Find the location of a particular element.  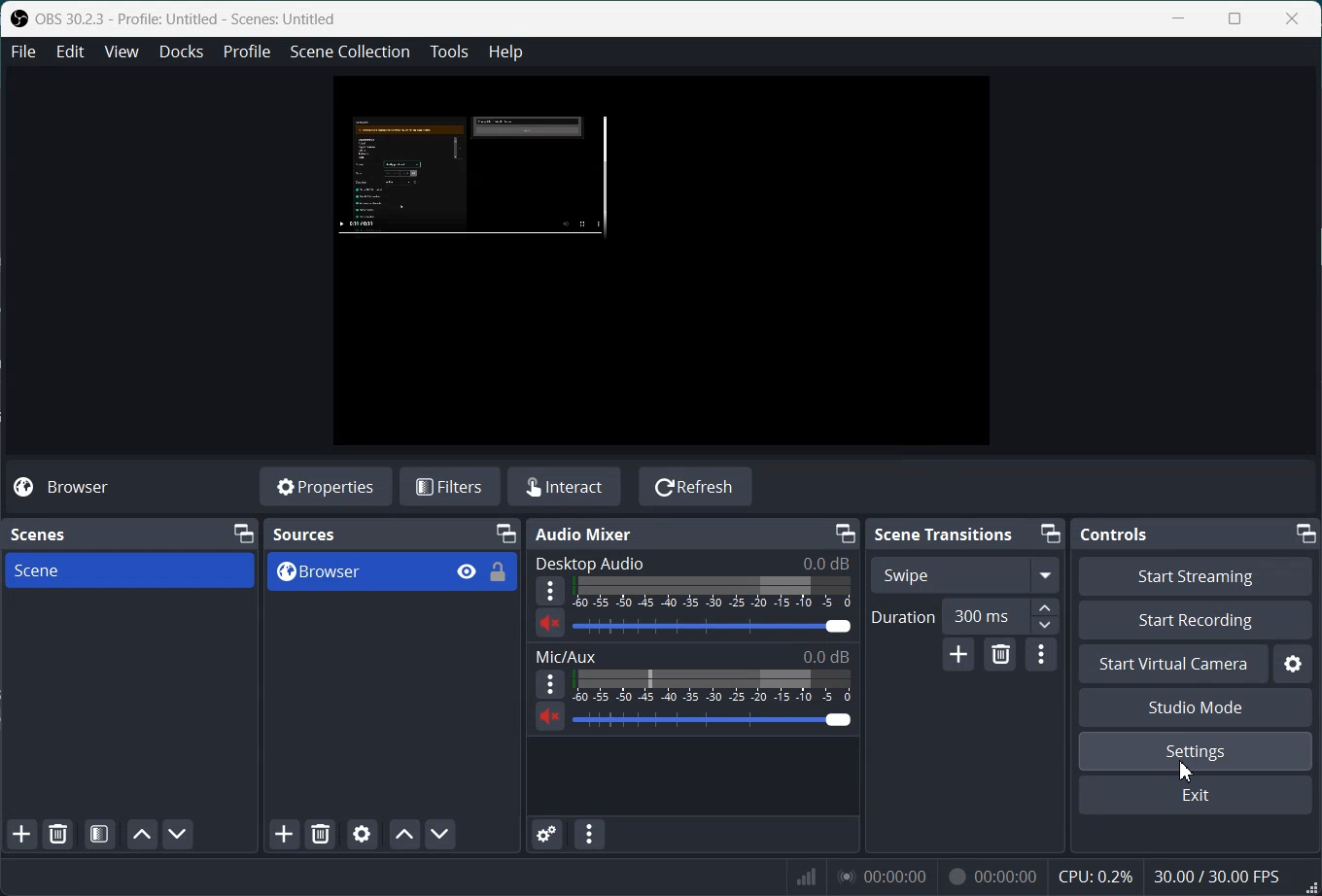

Scene Collection is located at coordinates (350, 52).